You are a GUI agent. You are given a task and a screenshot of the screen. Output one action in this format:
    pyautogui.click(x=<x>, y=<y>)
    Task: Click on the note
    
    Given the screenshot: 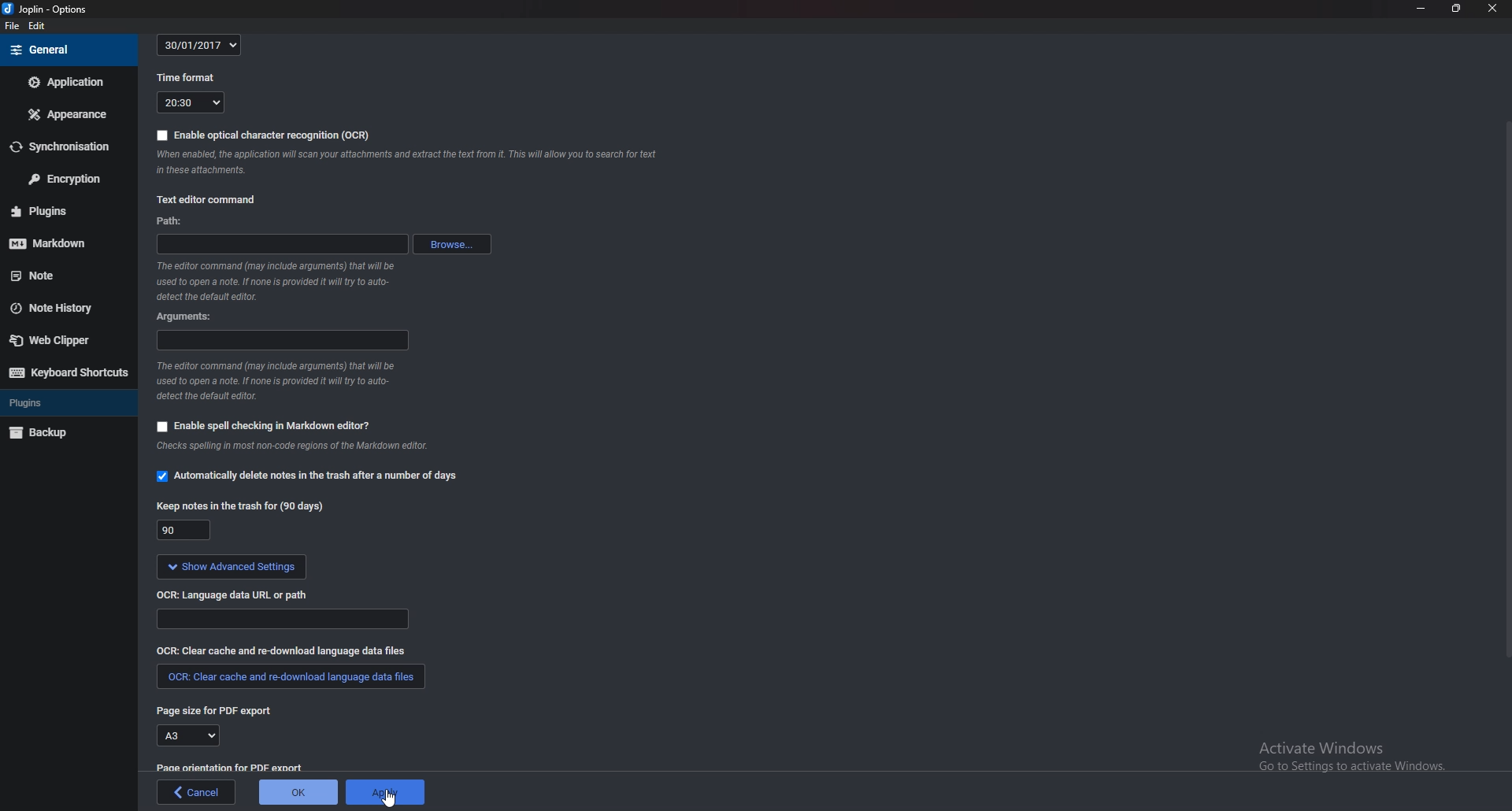 What is the action you would take?
    pyautogui.click(x=54, y=276)
    